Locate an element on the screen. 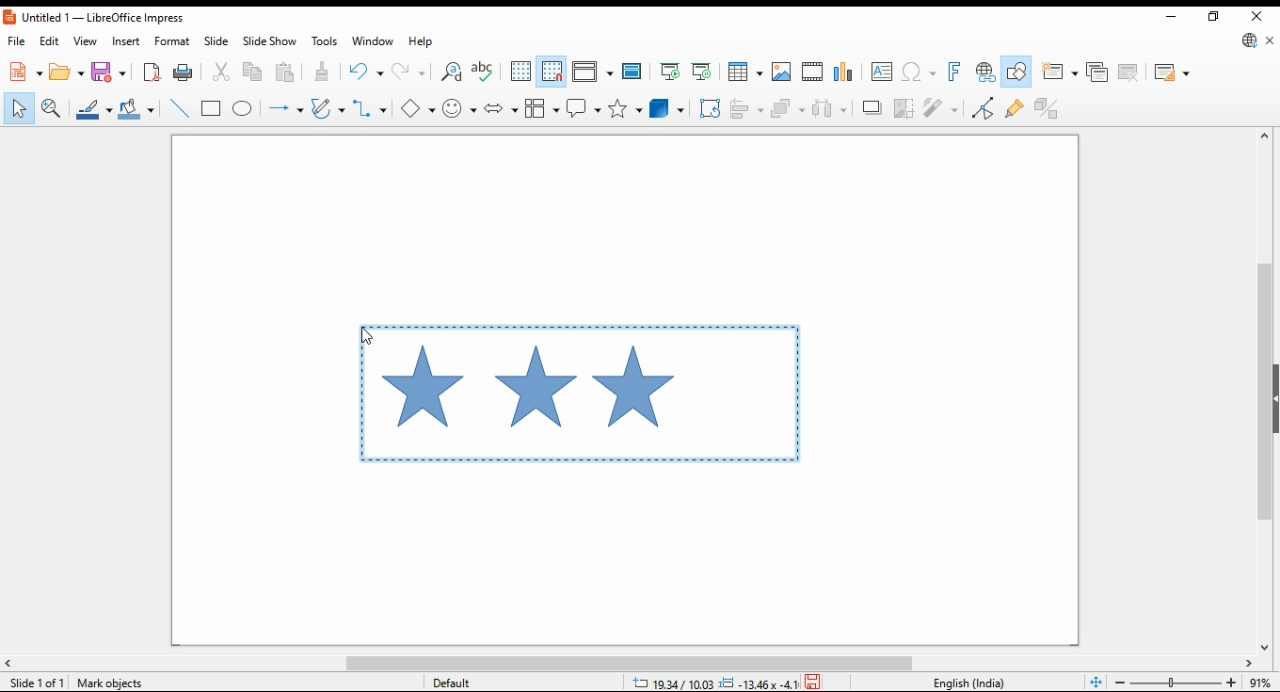 Image resolution: width=1280 pixels, height=692 pixels. default is located at coordinates (474, 681).